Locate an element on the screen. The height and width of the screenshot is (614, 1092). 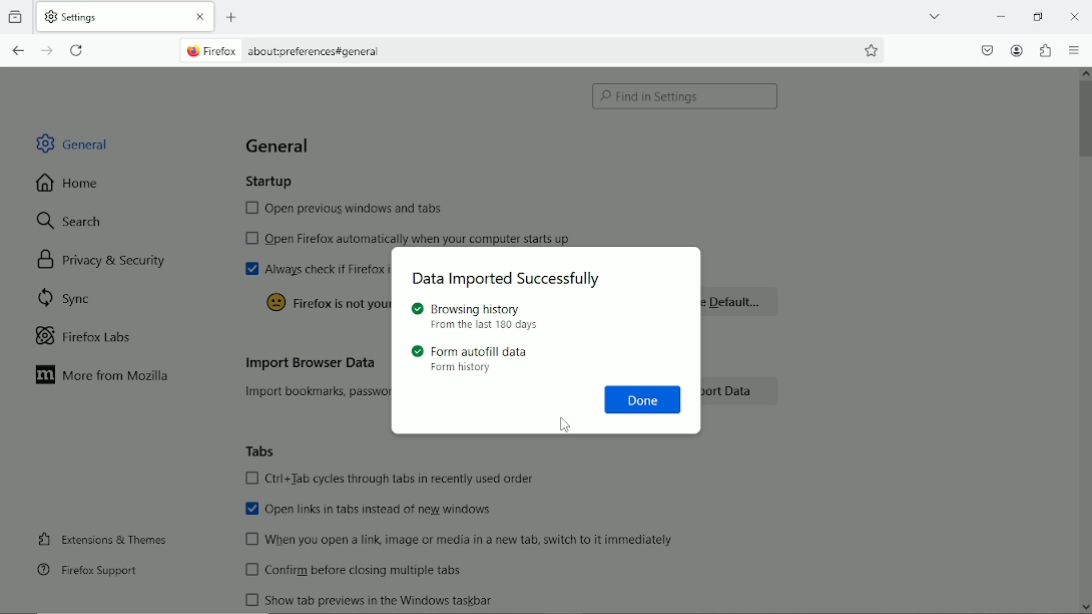
General is located at coordinates (75, 141).